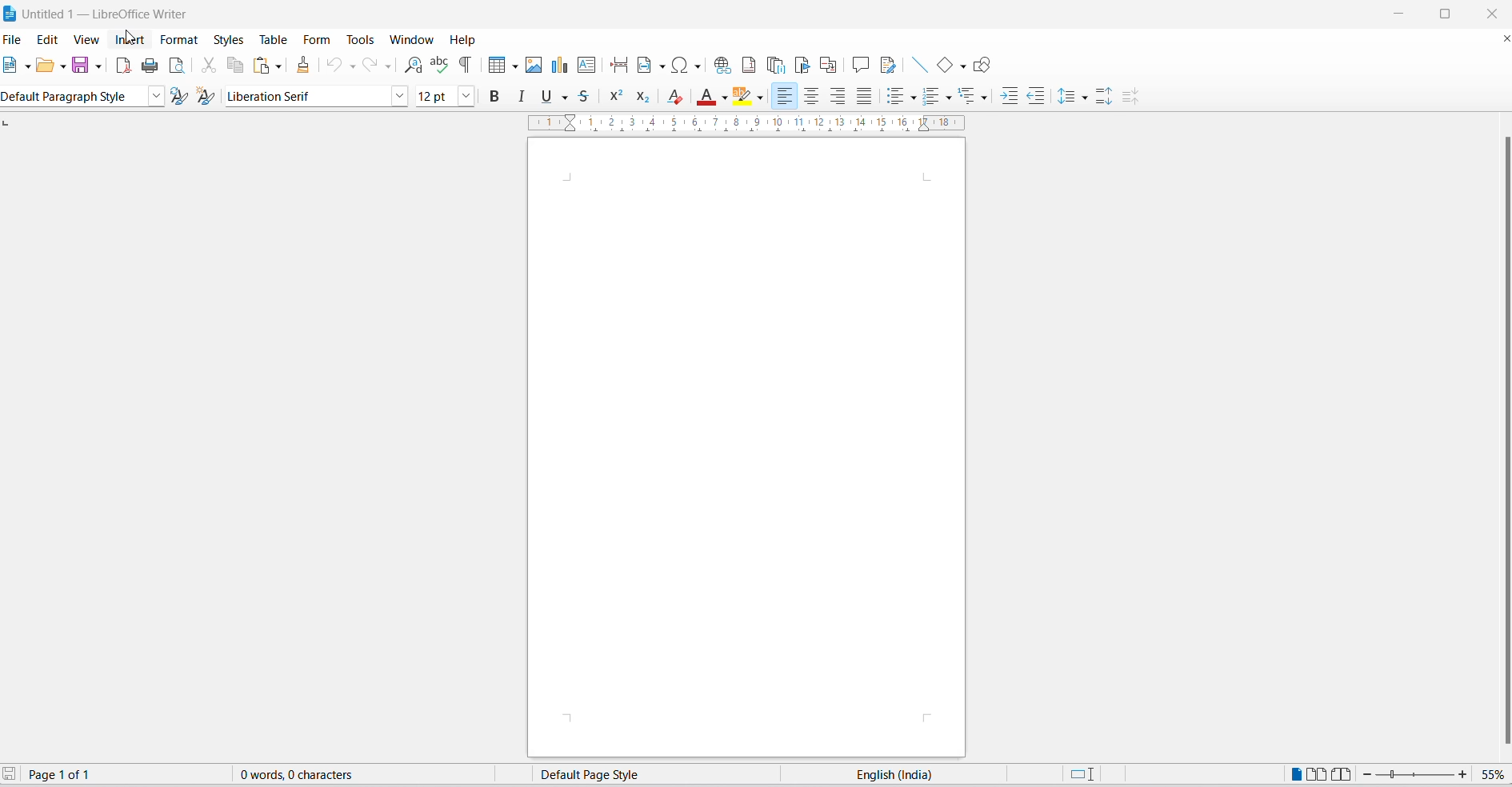 The height and width of the screenshot is (787, 1512). Describe the element at coordinates (236, 66) in the screenshot. I see `copy` at that location.